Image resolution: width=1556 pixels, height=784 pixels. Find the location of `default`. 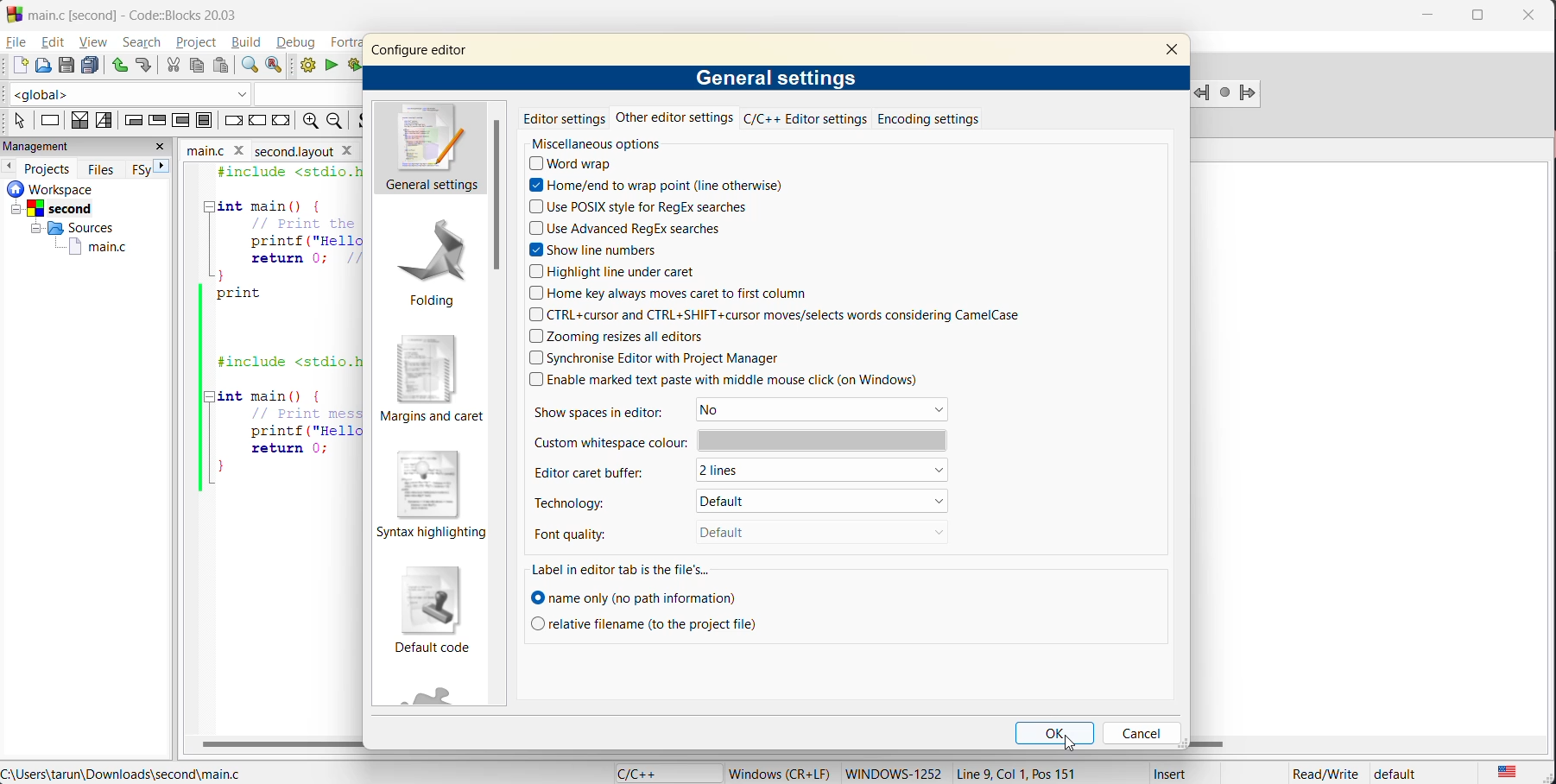

default is located at coordinates (819, 503).